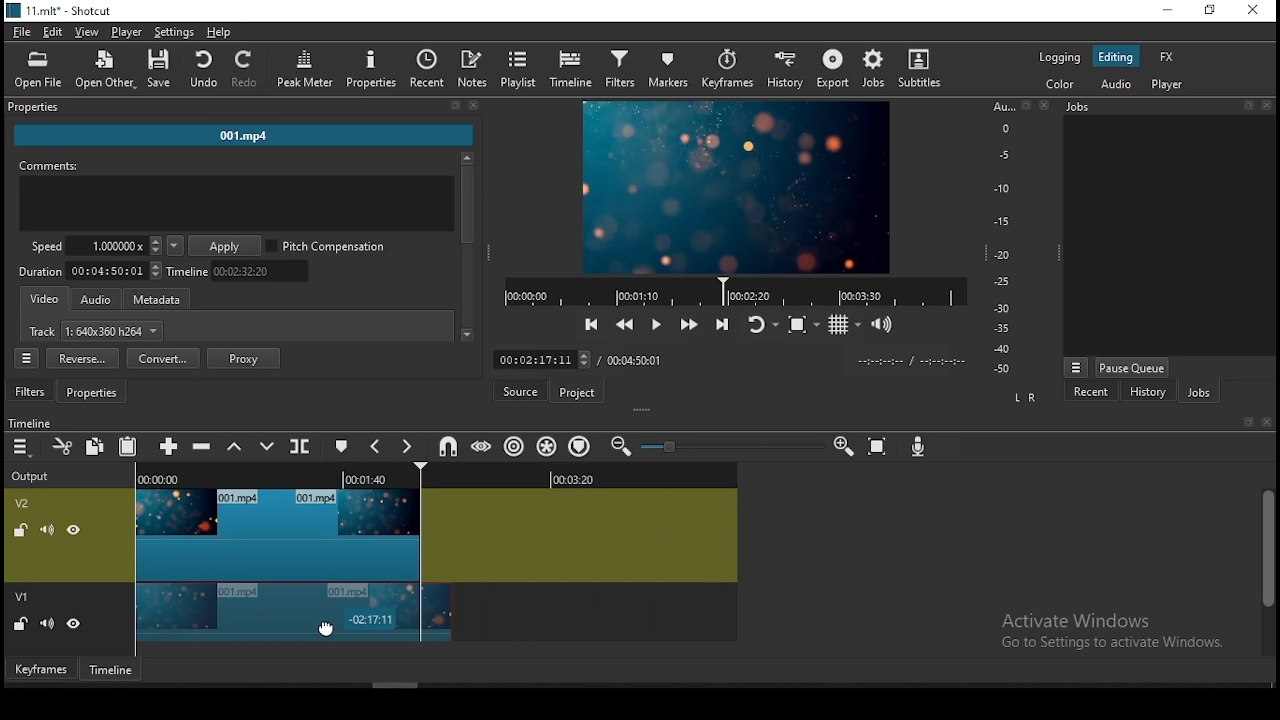  Describe the element at coordinates (45, 624) in the screenshot. I see `(UN)MUTE` at that location.